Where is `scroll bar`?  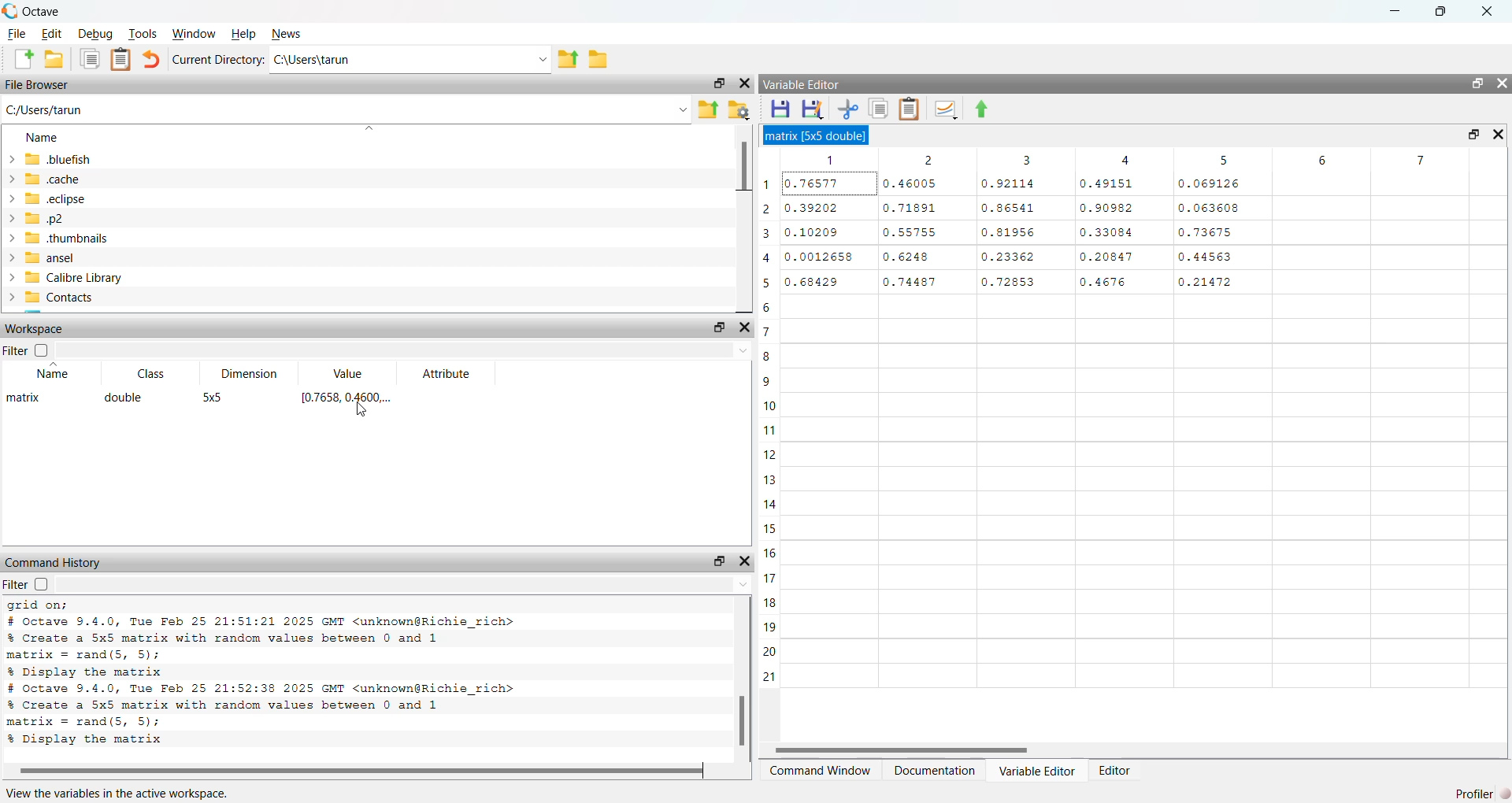 scroll bar is located at coordinates (361, 770).